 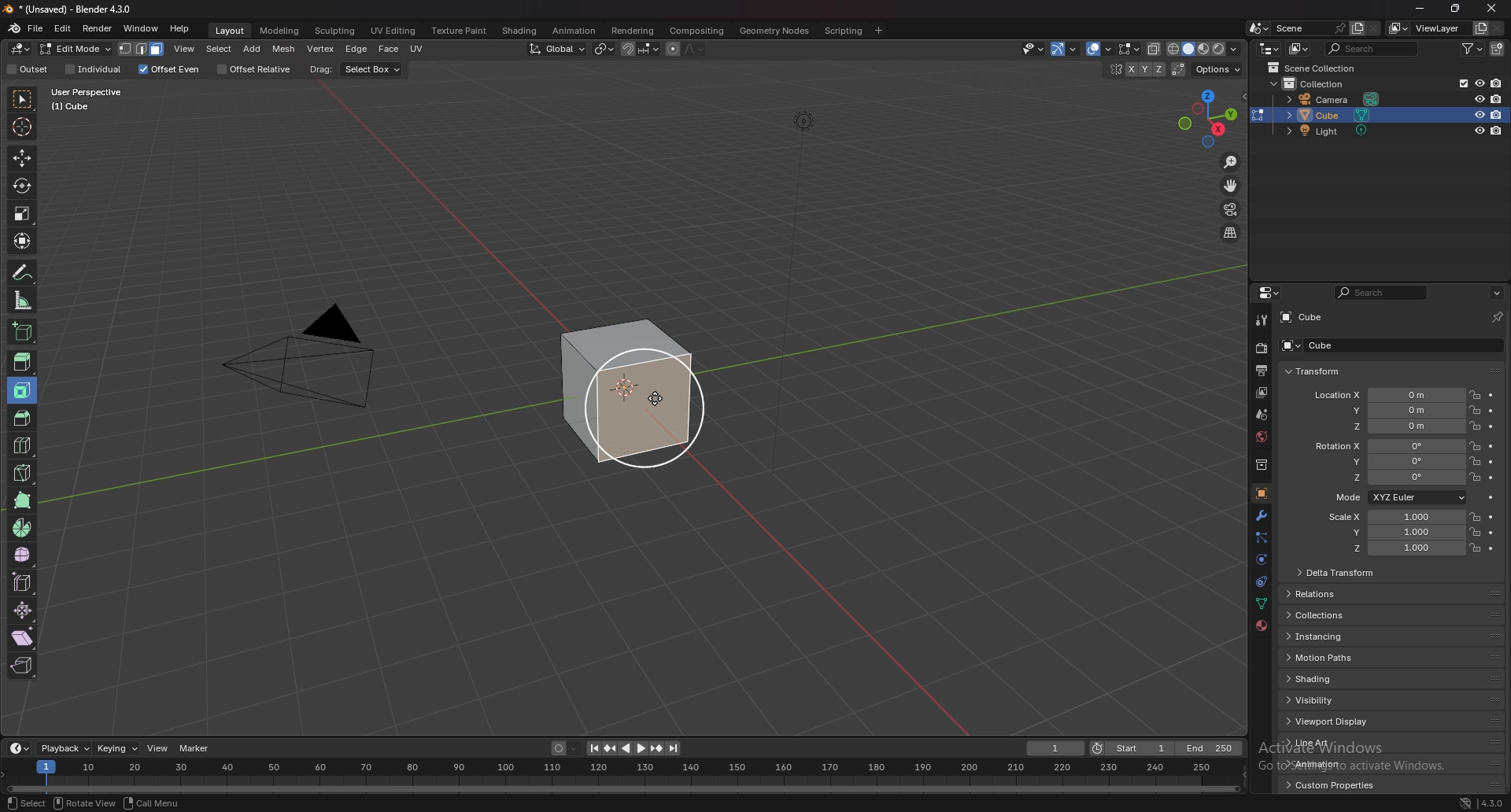 I want to click on animate property, so click(x=1491, y=518).